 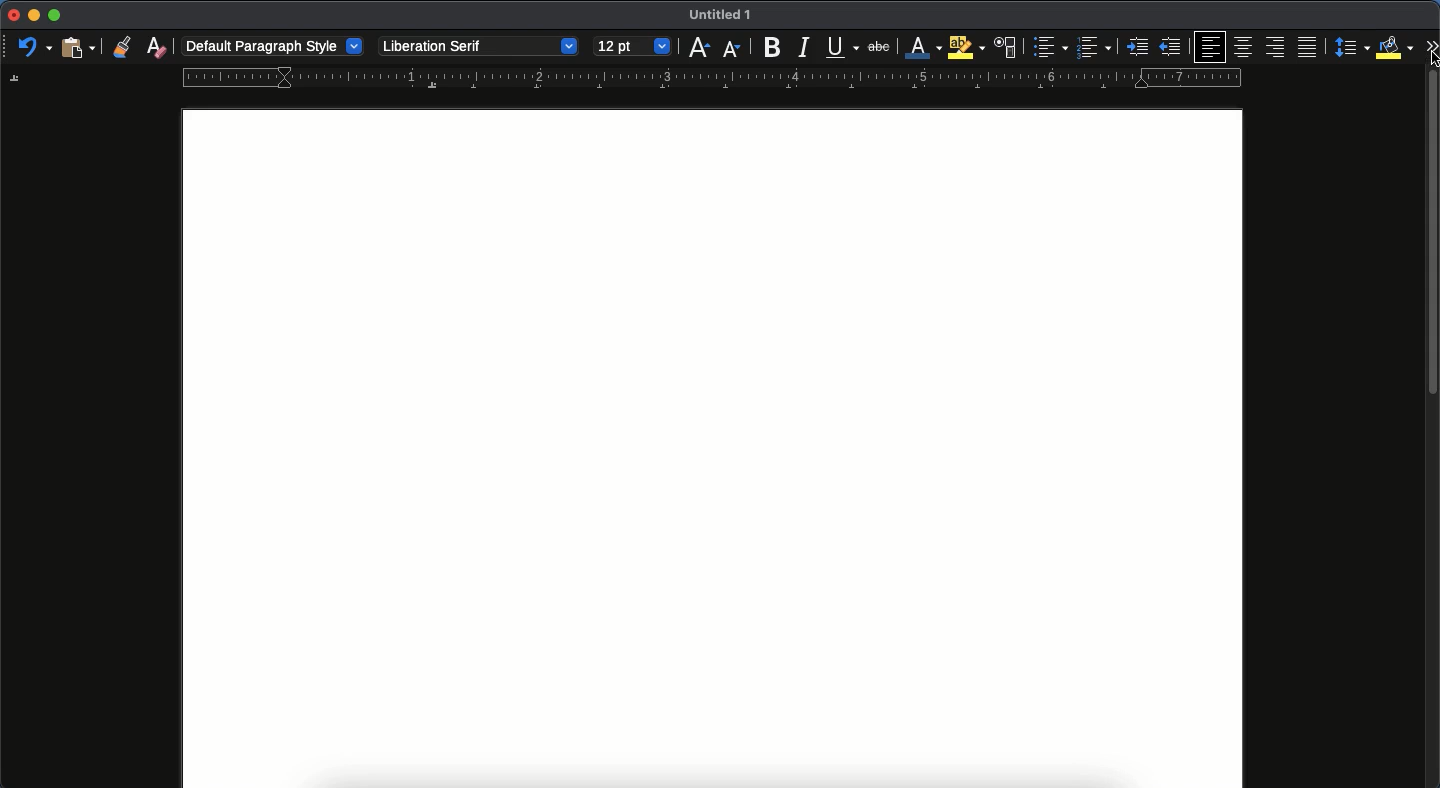 I want to click on paragraph spacing, so click(x=1354, y=49).